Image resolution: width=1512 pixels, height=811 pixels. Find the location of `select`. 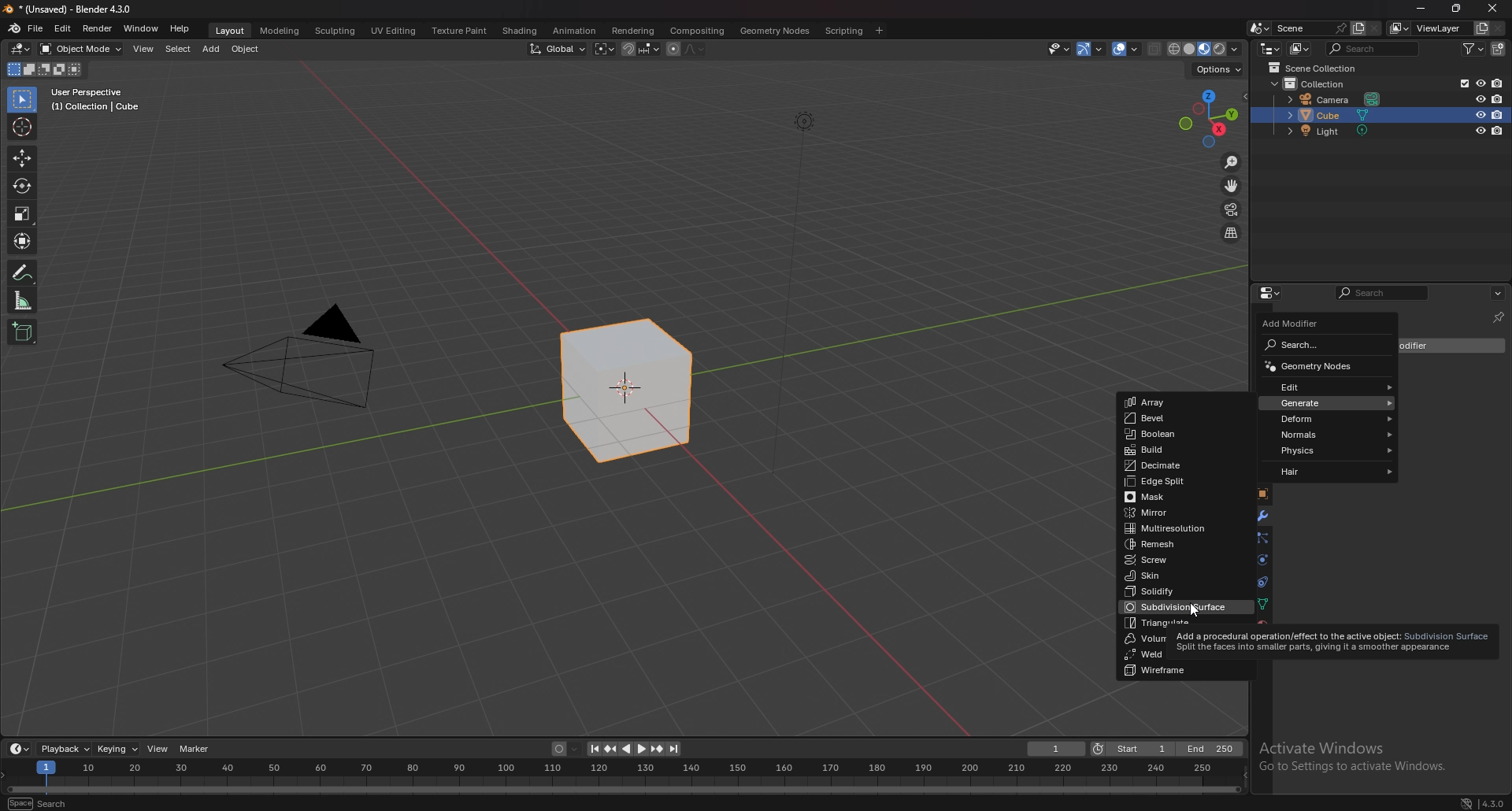

select is located at coordinates (178, 49).